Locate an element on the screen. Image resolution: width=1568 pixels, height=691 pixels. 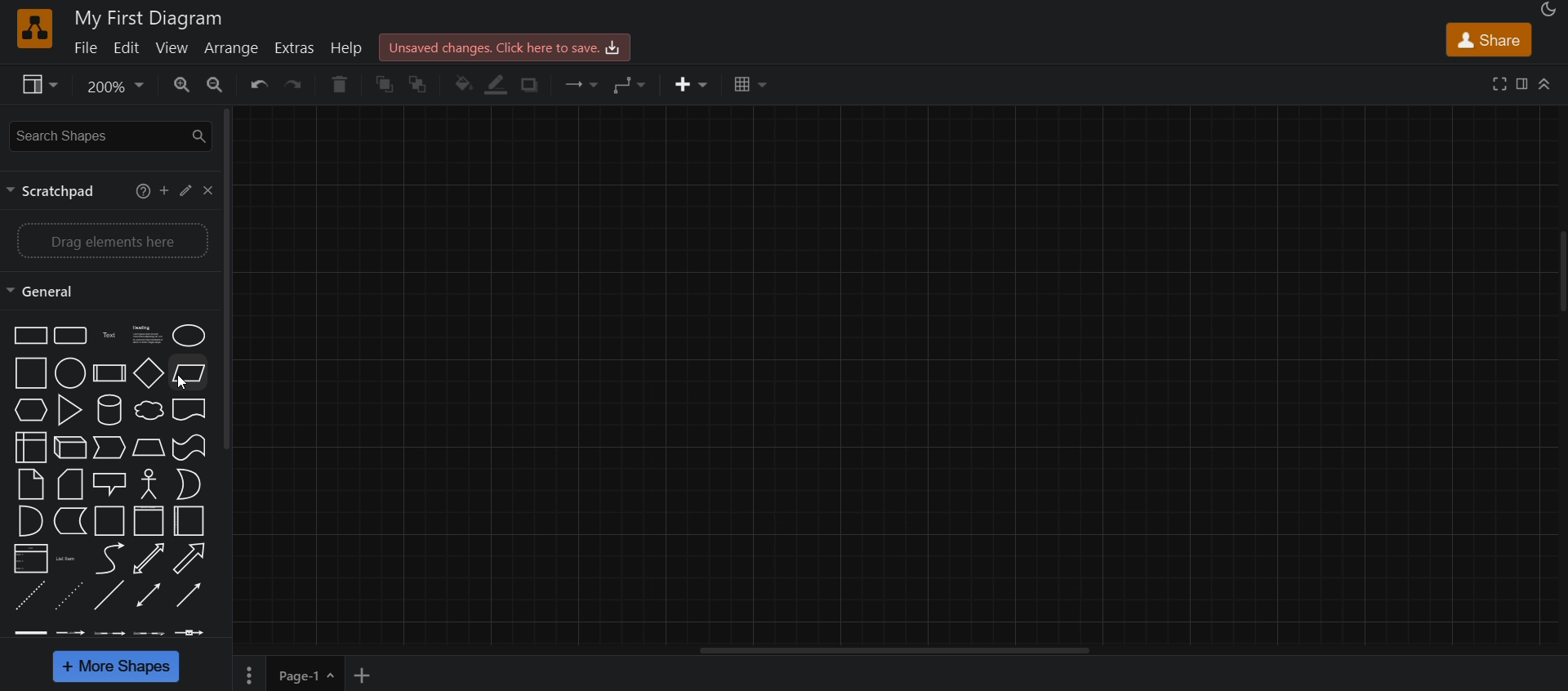
arrange is located at coordinates (232, 47).